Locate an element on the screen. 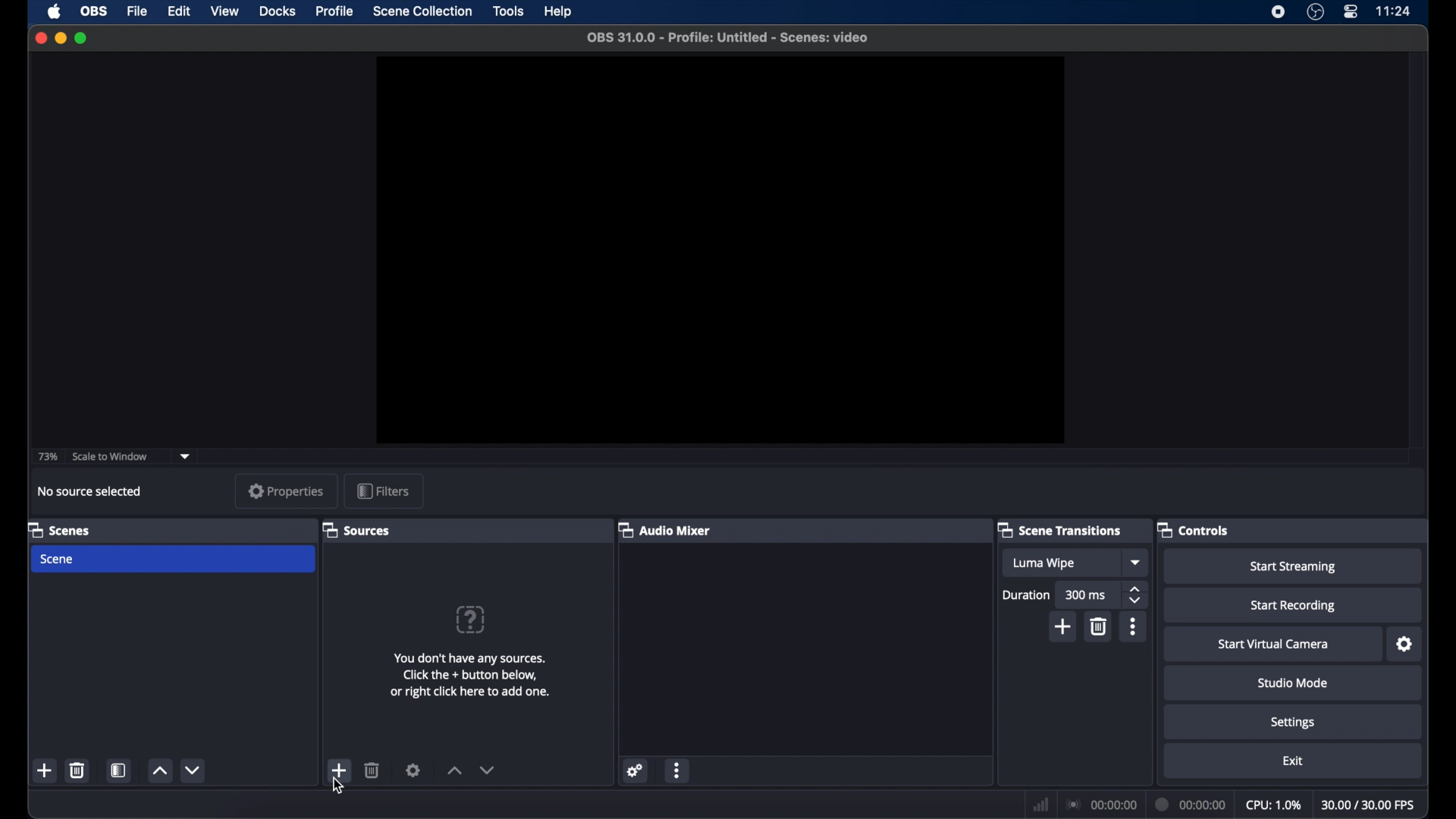 The width and height of the screenshot is (1456, 819). fps is located at coordinates (1368, 805).